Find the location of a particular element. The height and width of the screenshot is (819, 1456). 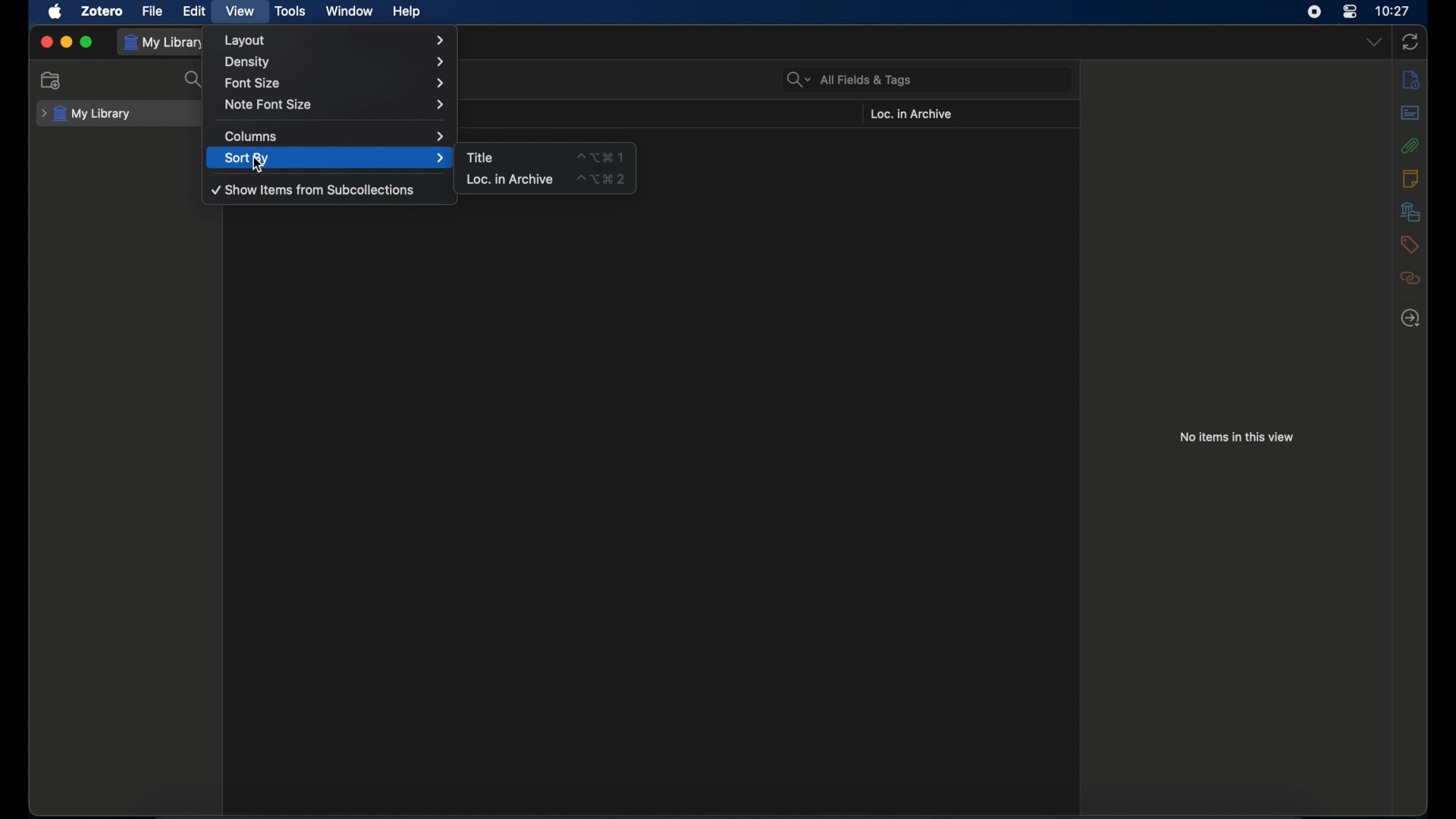

show items from subcollections is located at coordinates (314, 189).